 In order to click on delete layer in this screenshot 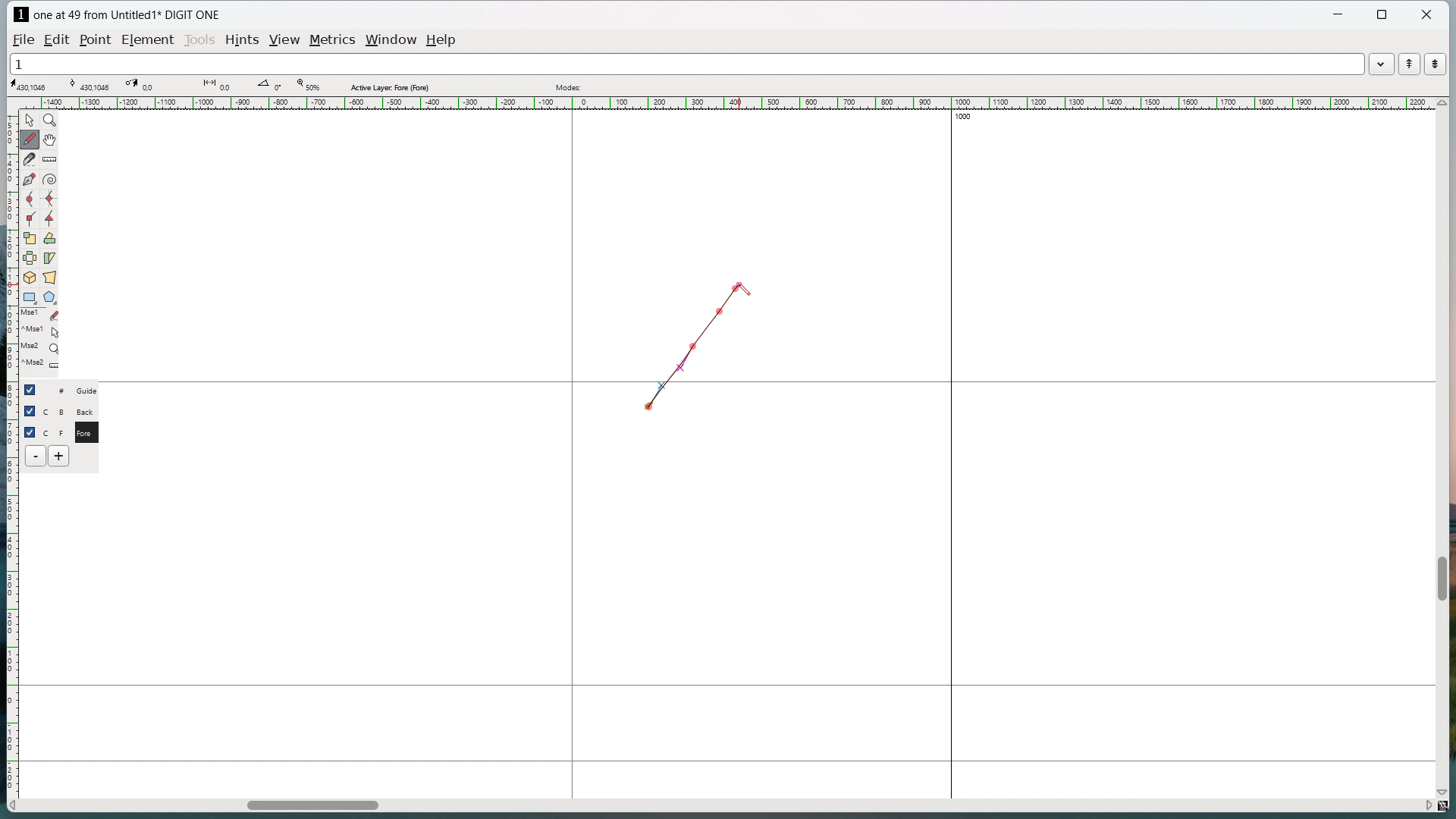, I will do `click(36, 456)`.